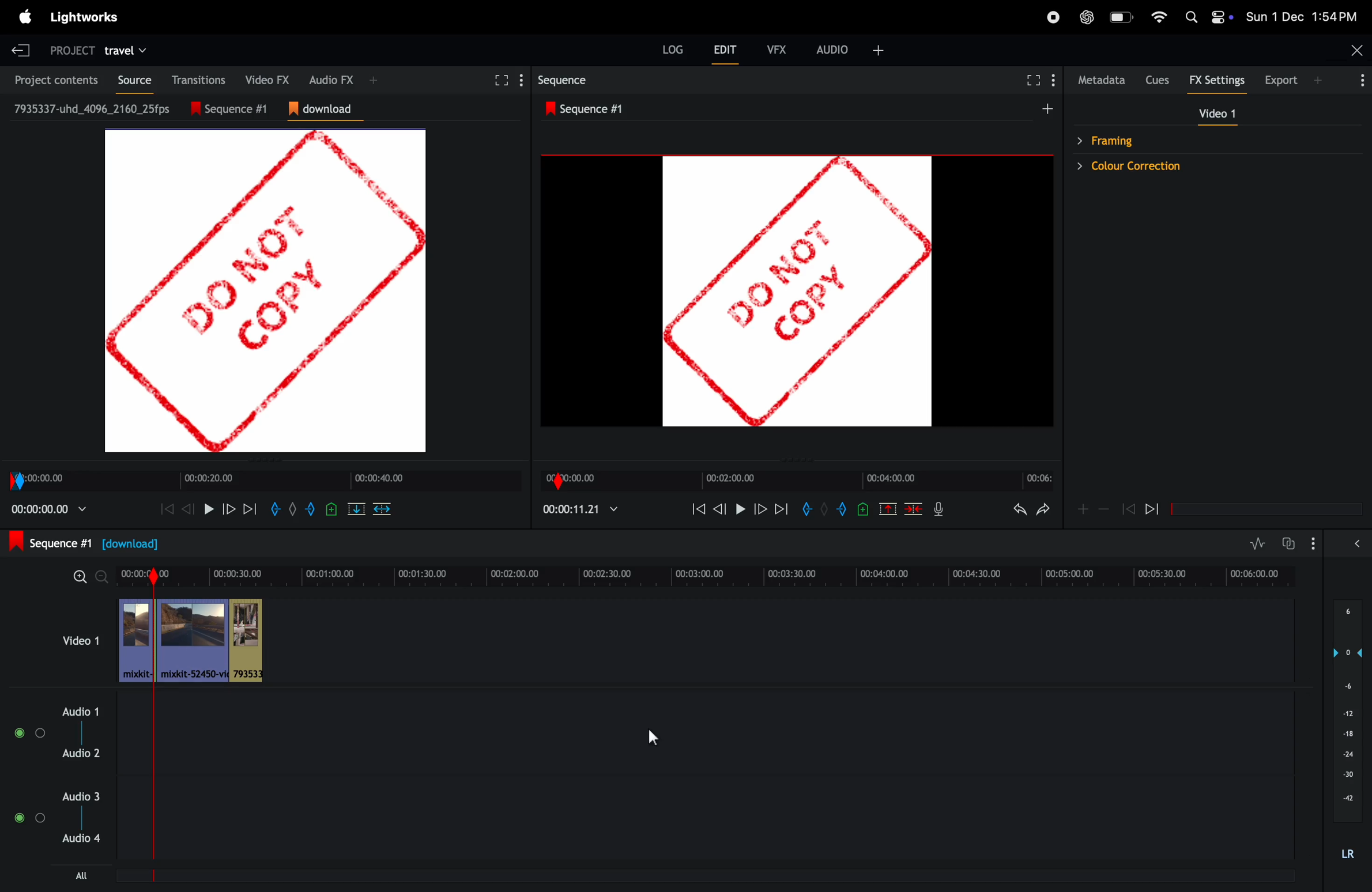 The width and height of the screenshot is (1372, 892). Describe the element at coordinates (729, 577) in the screenshot. I see `time frame` at that location.